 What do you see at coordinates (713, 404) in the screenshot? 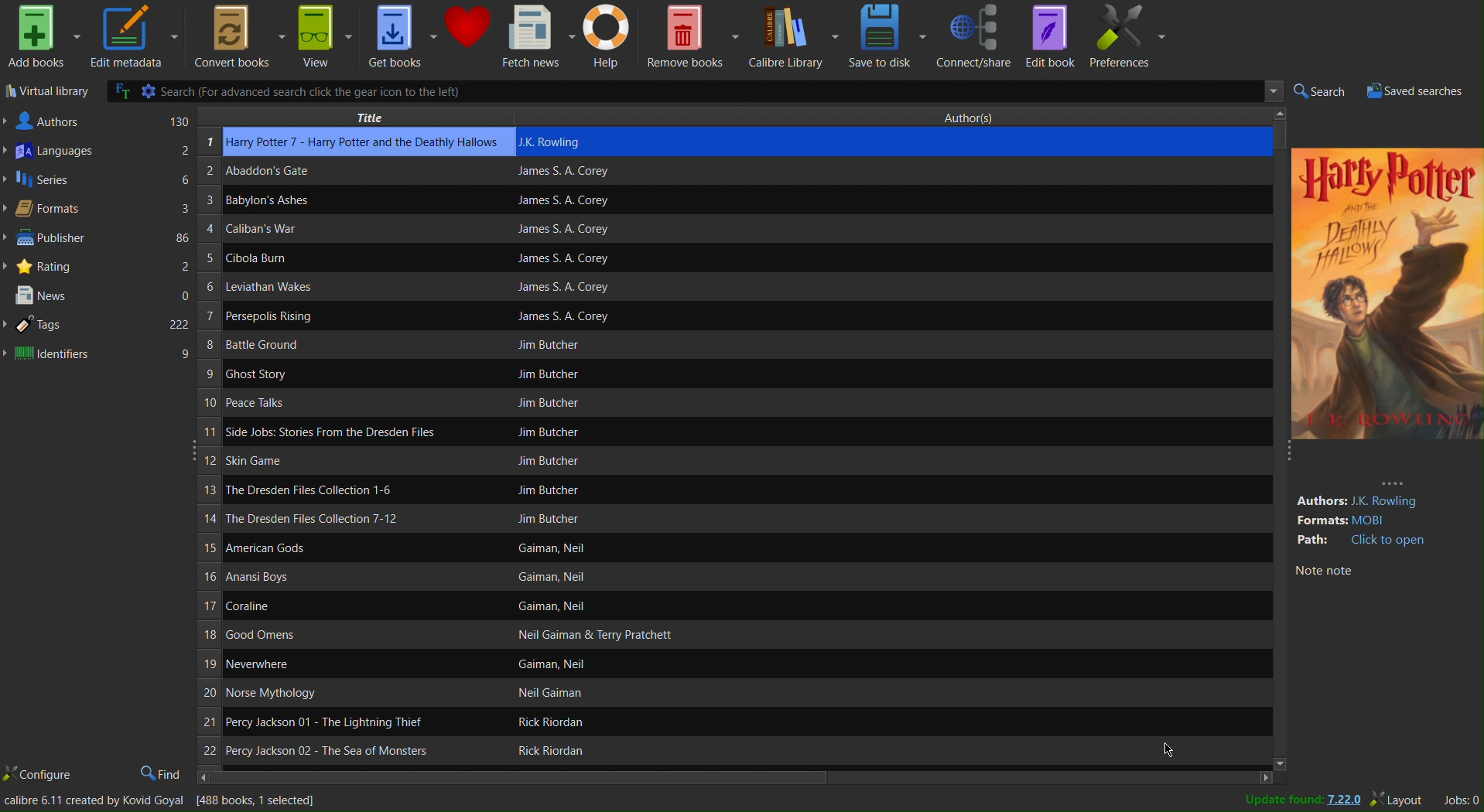
I see `Author’s name` at bounding box center [713, 404].